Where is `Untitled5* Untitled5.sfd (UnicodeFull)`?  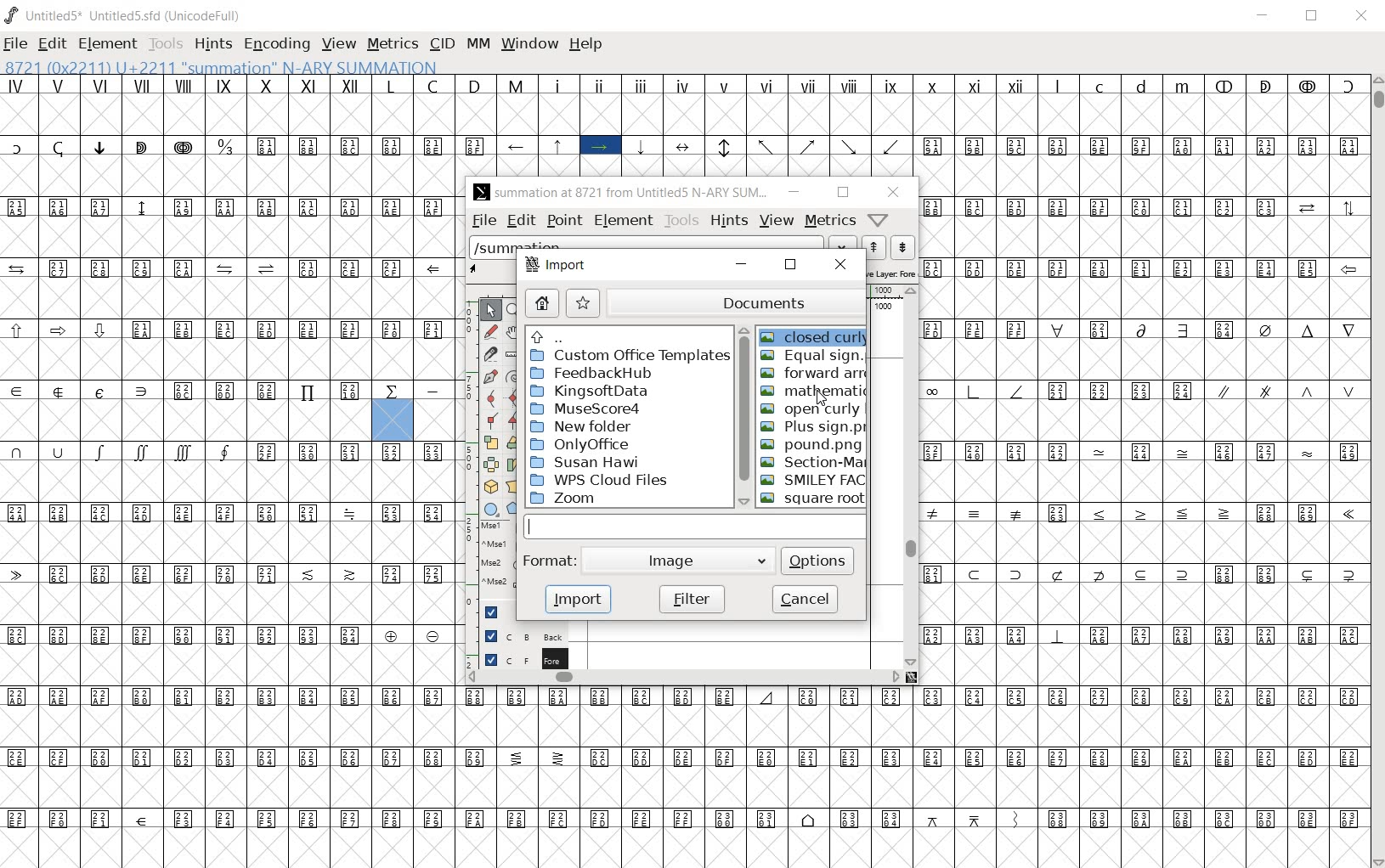 Untitled5* Untitled5.sfd (UnicodeFull) is located at coordinates (127, 15).